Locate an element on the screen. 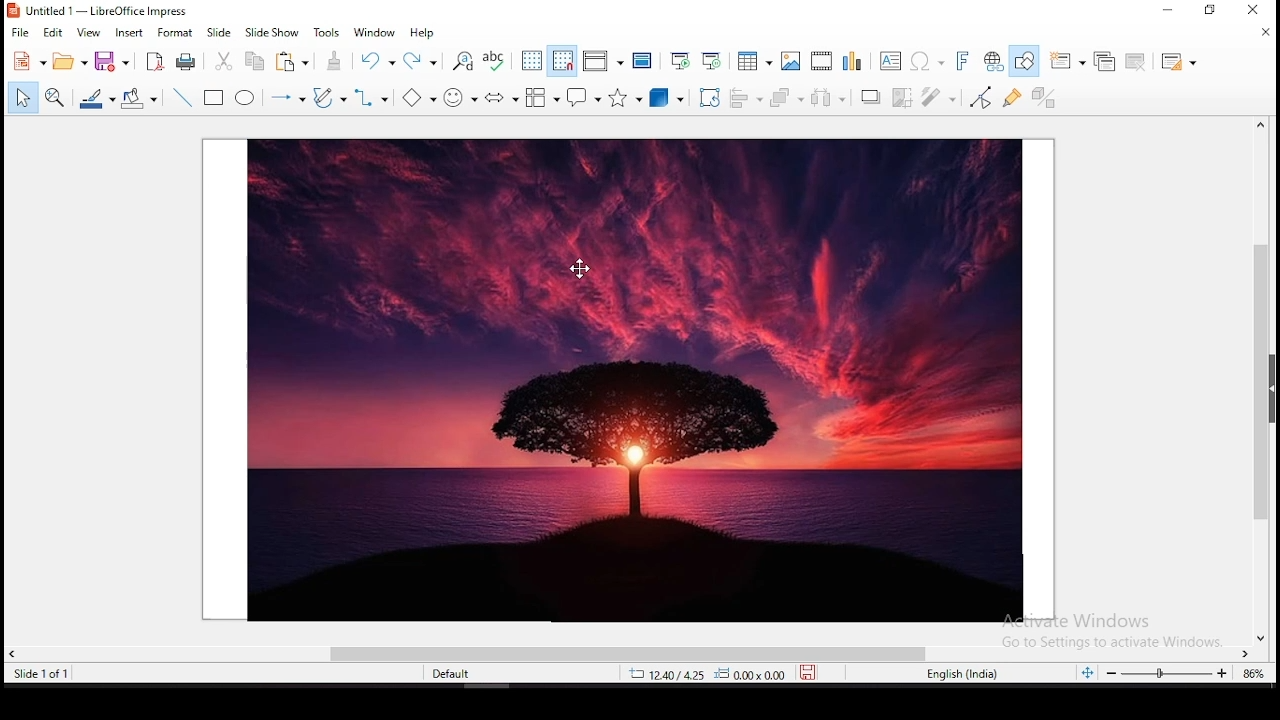  lines and arrows is located at coordinates (285, 97).